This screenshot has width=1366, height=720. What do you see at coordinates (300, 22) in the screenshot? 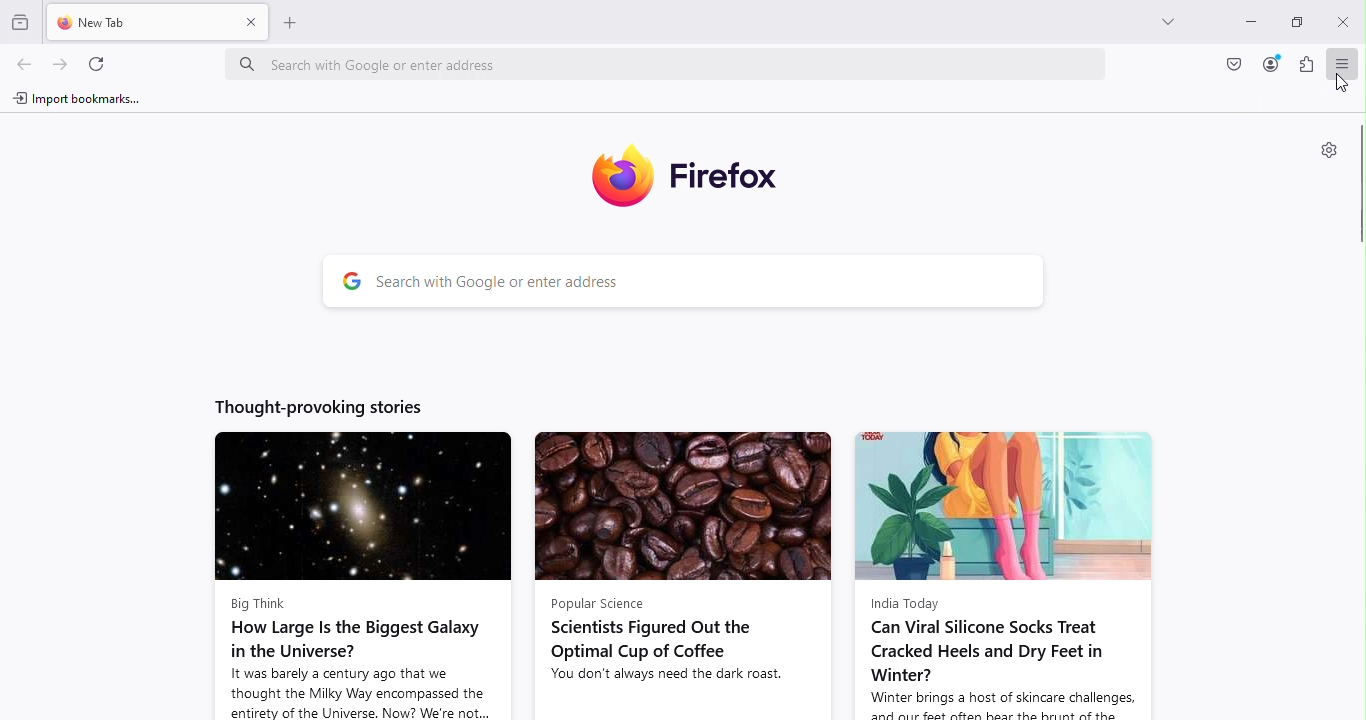
I see `Open a new tab` at bounding box center [300, 22].